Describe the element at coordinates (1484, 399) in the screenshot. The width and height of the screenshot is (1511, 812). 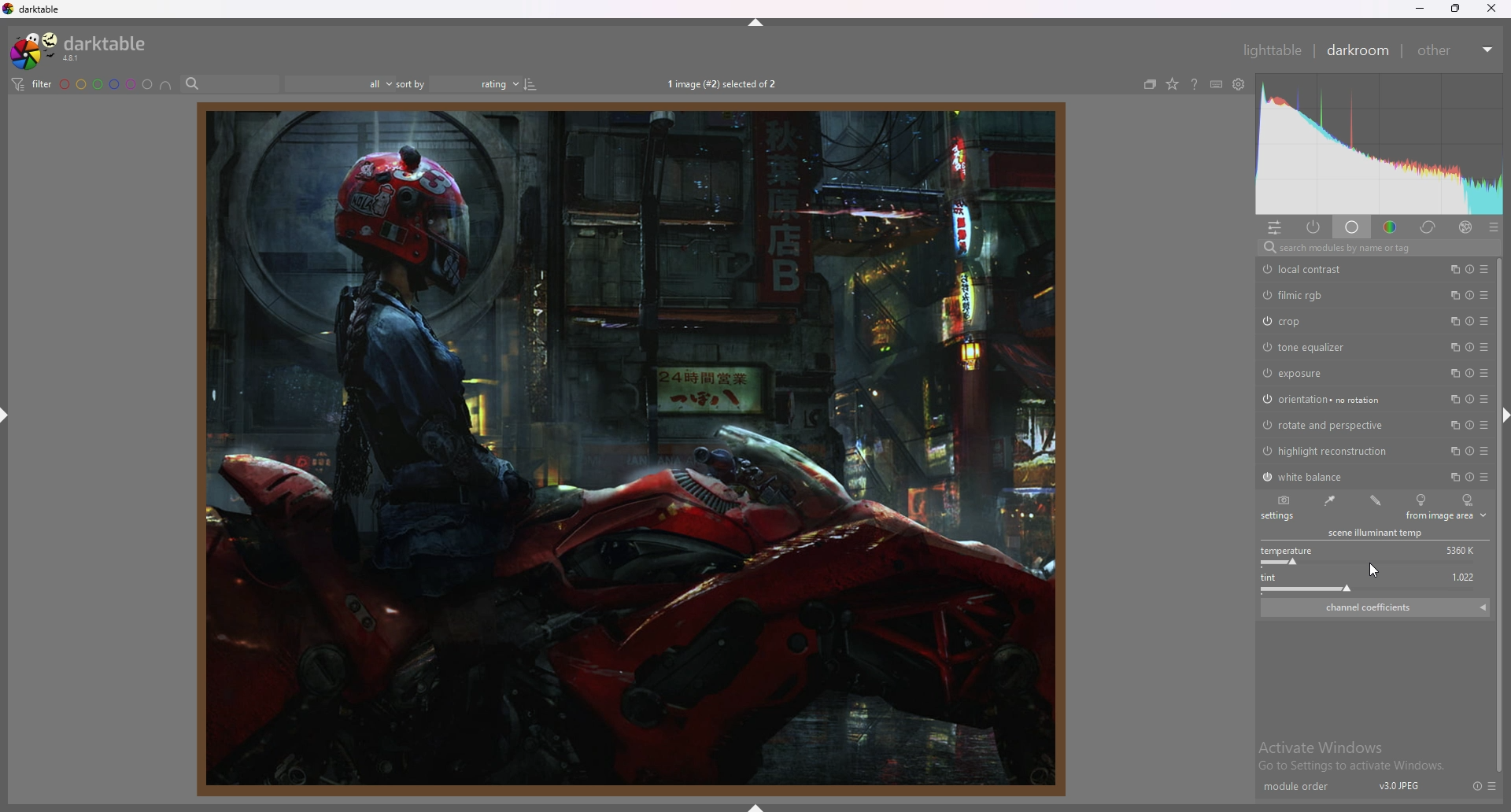
I see `presets` at that location.